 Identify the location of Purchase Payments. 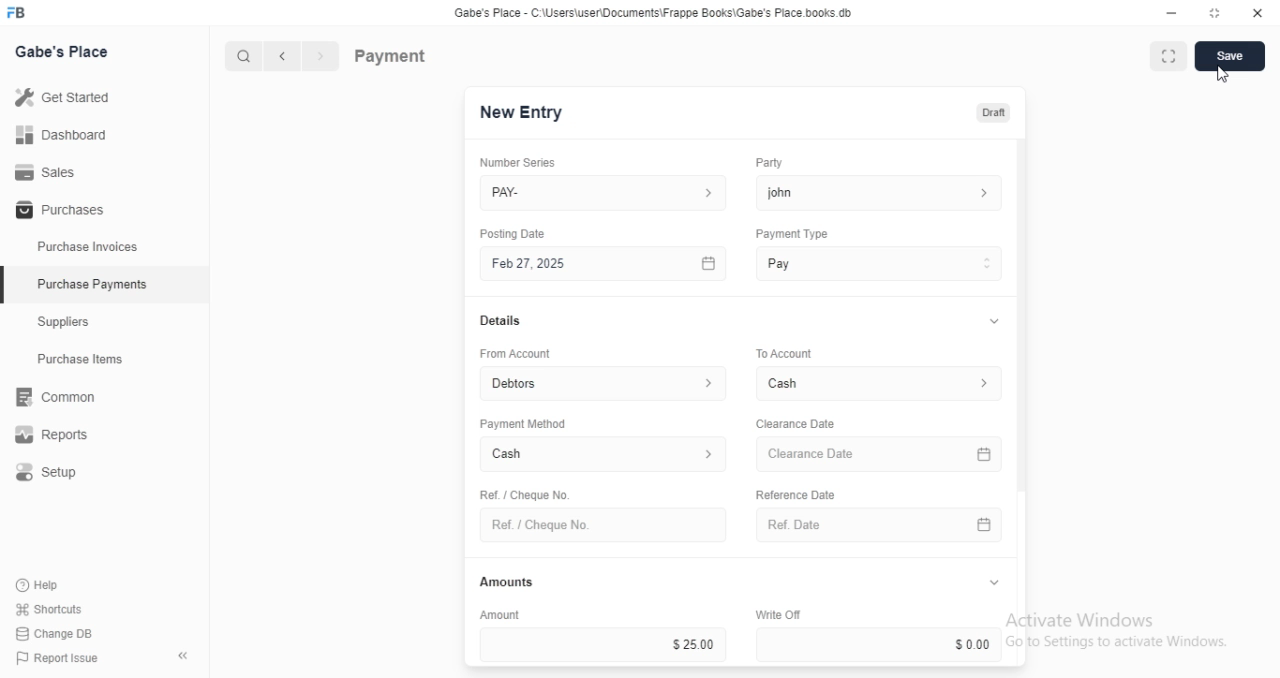
(91, 284).